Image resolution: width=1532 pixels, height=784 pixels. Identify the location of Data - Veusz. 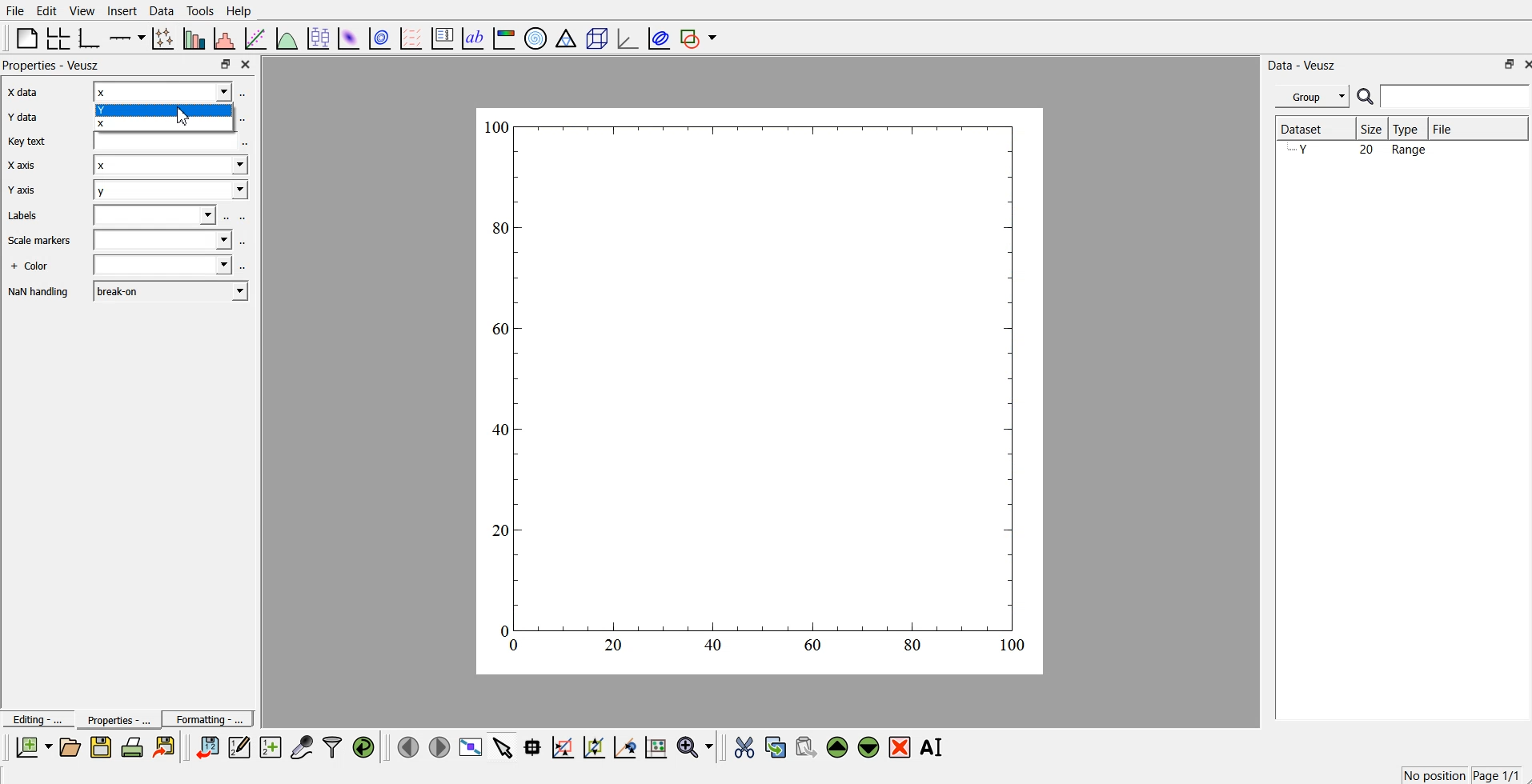
(1308, 64).